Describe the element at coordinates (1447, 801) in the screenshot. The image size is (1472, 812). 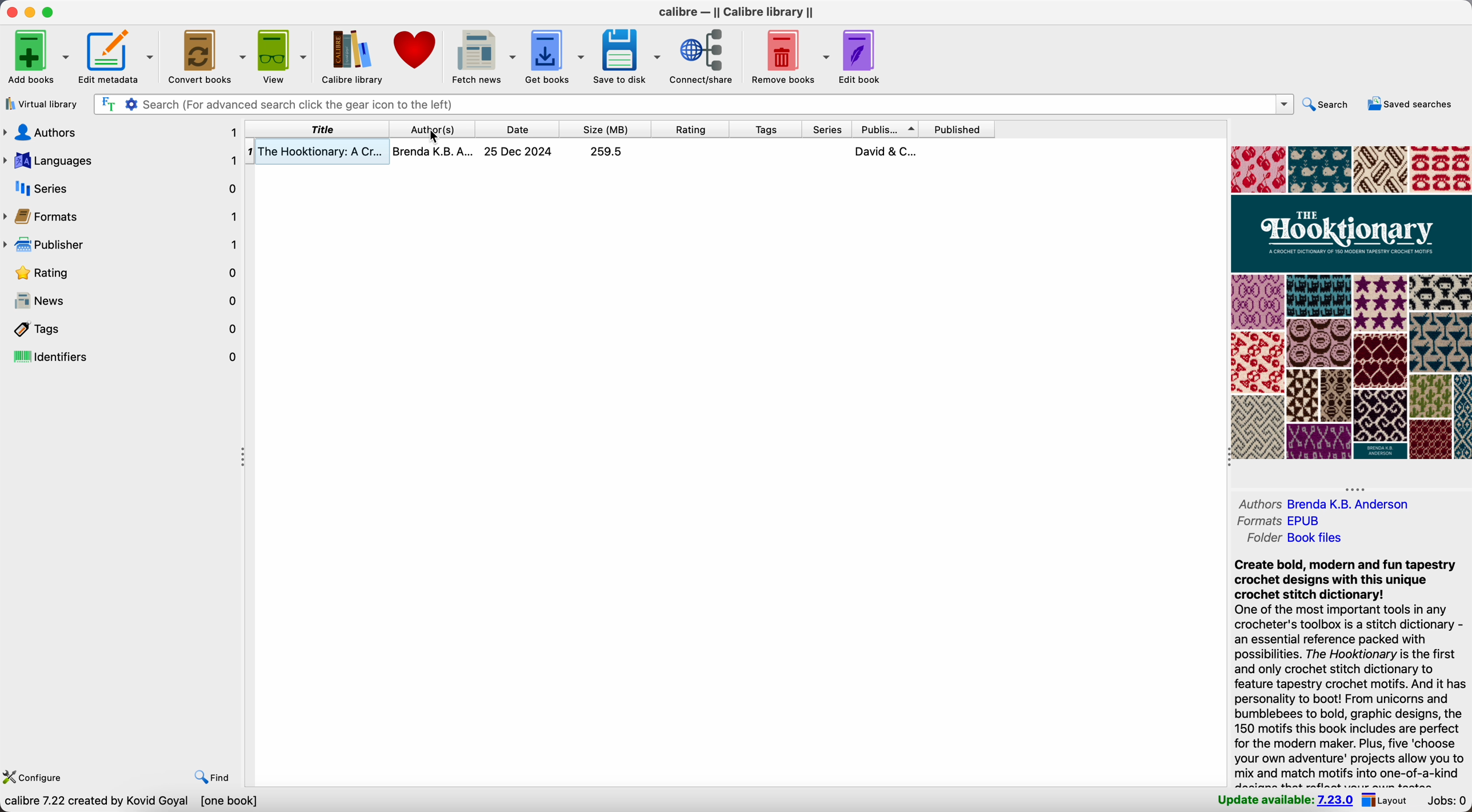
I see `jobs: 0` at that location.